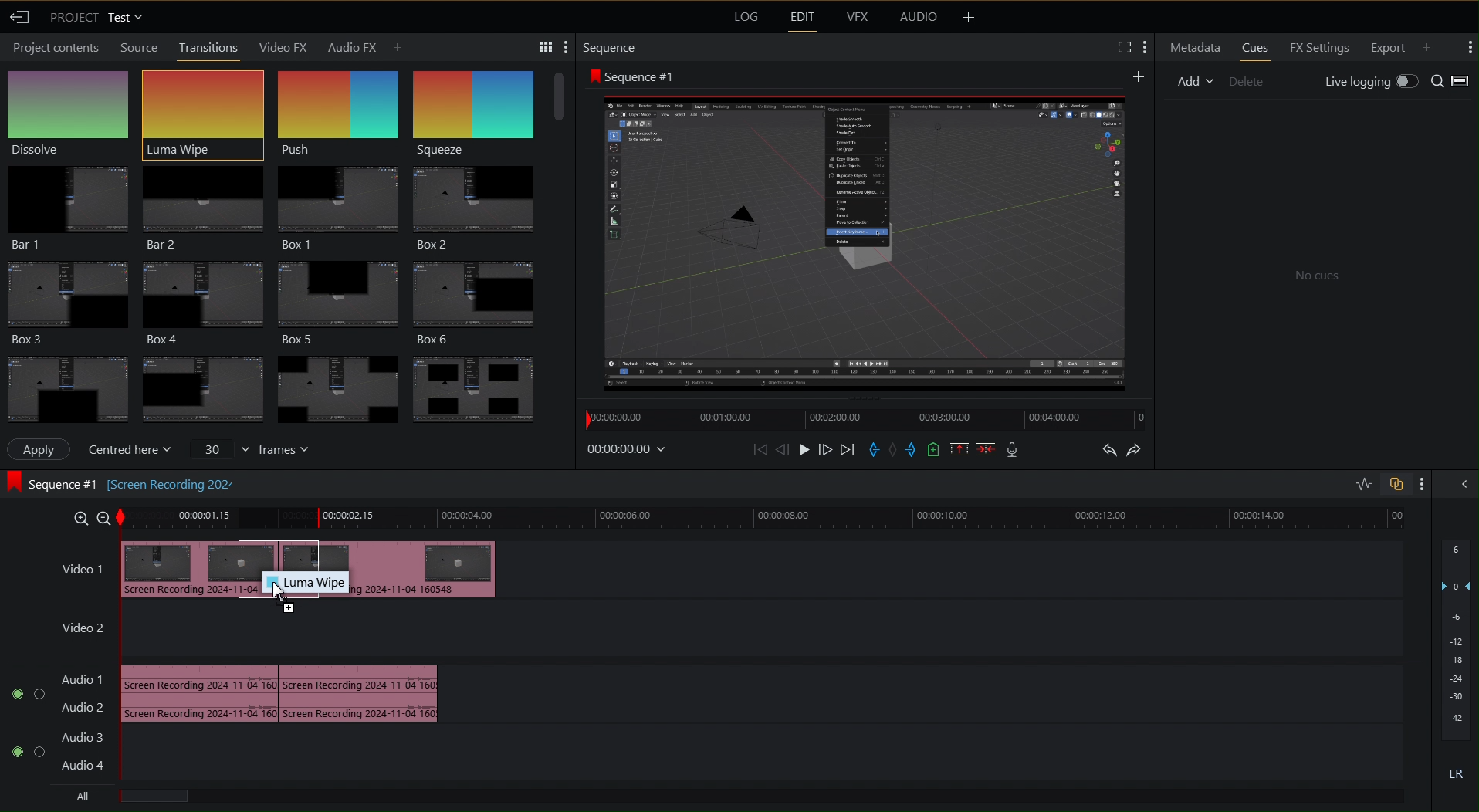  Describe the element at coordinates (339, 107) in the screenshot. I see `Push` at that location.